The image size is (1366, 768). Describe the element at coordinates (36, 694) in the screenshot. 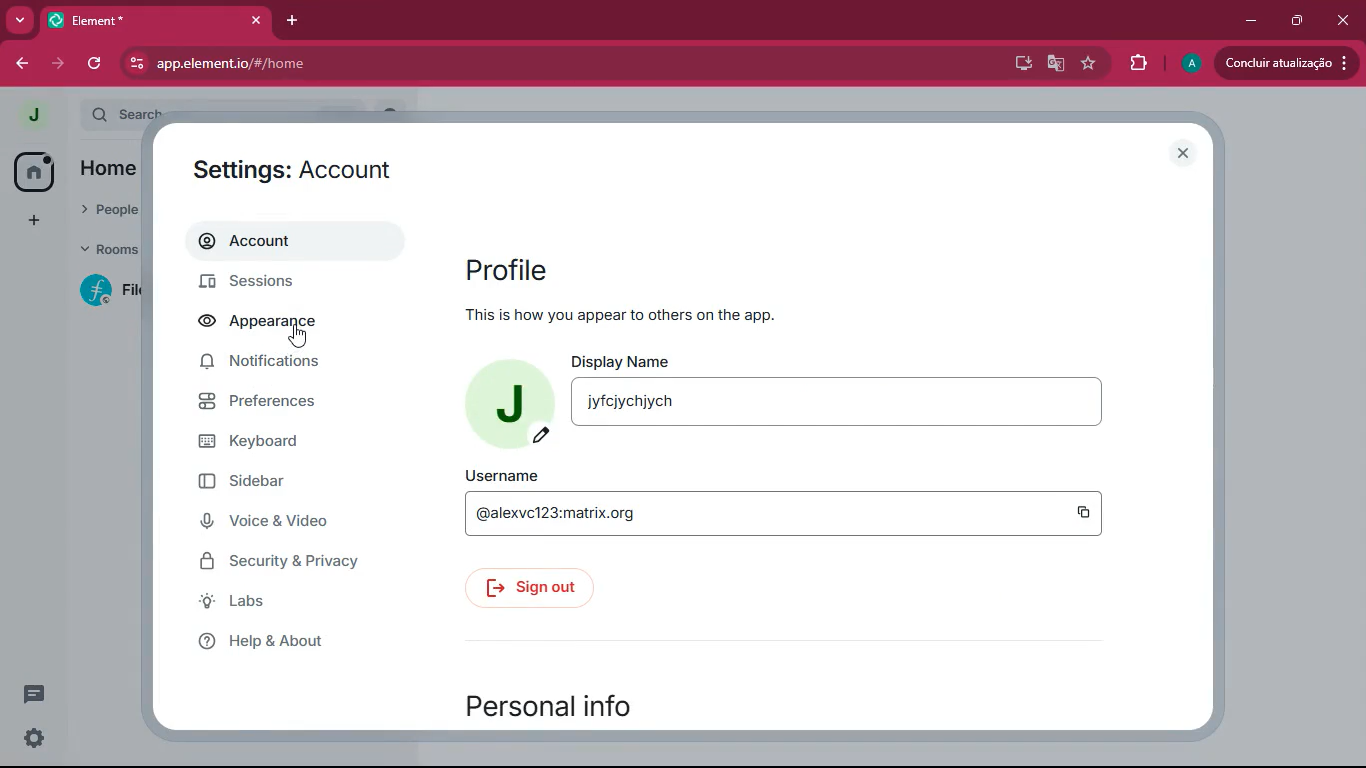

I see `message` at that location.